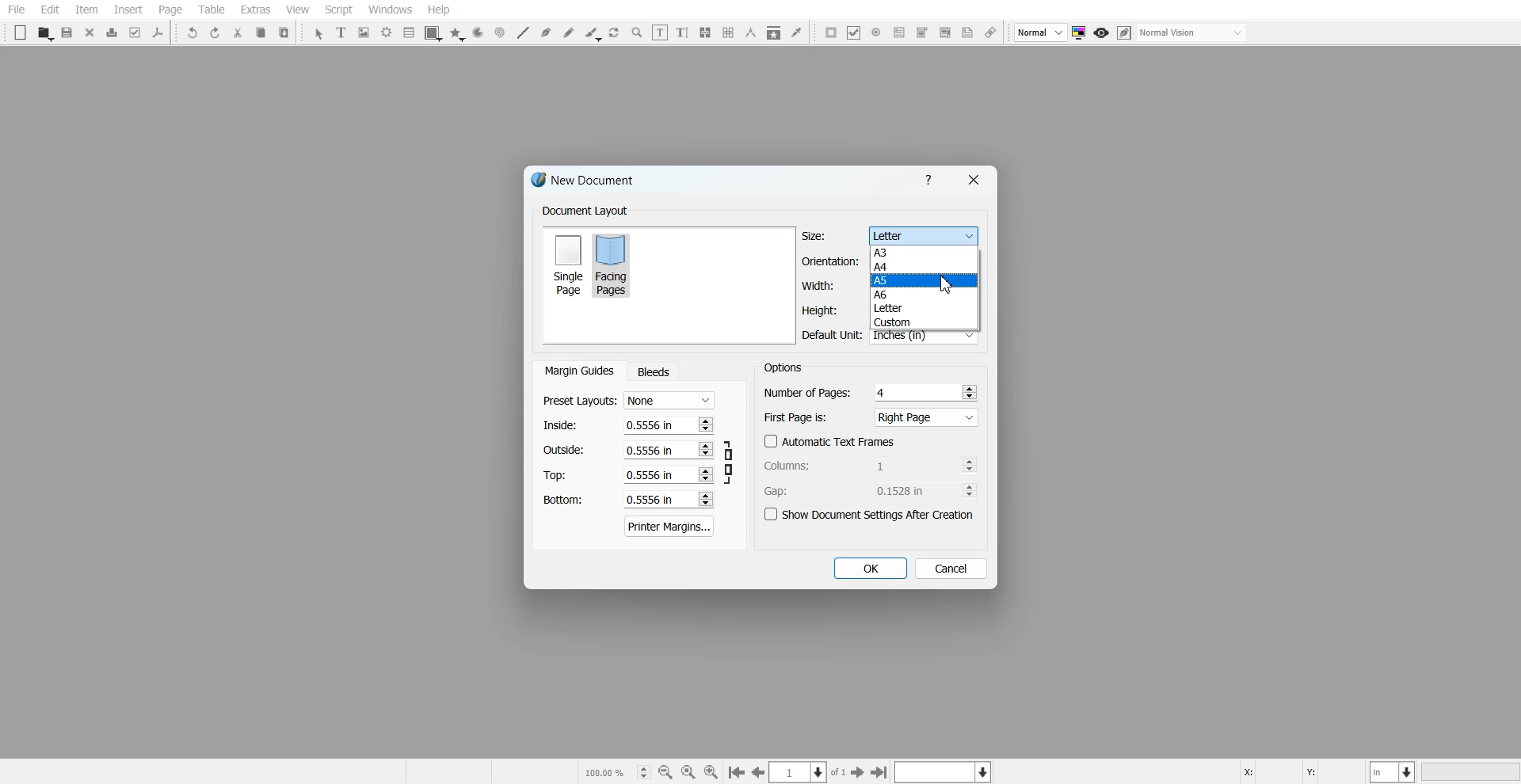  I want to click on Insert, so click(128, 10).